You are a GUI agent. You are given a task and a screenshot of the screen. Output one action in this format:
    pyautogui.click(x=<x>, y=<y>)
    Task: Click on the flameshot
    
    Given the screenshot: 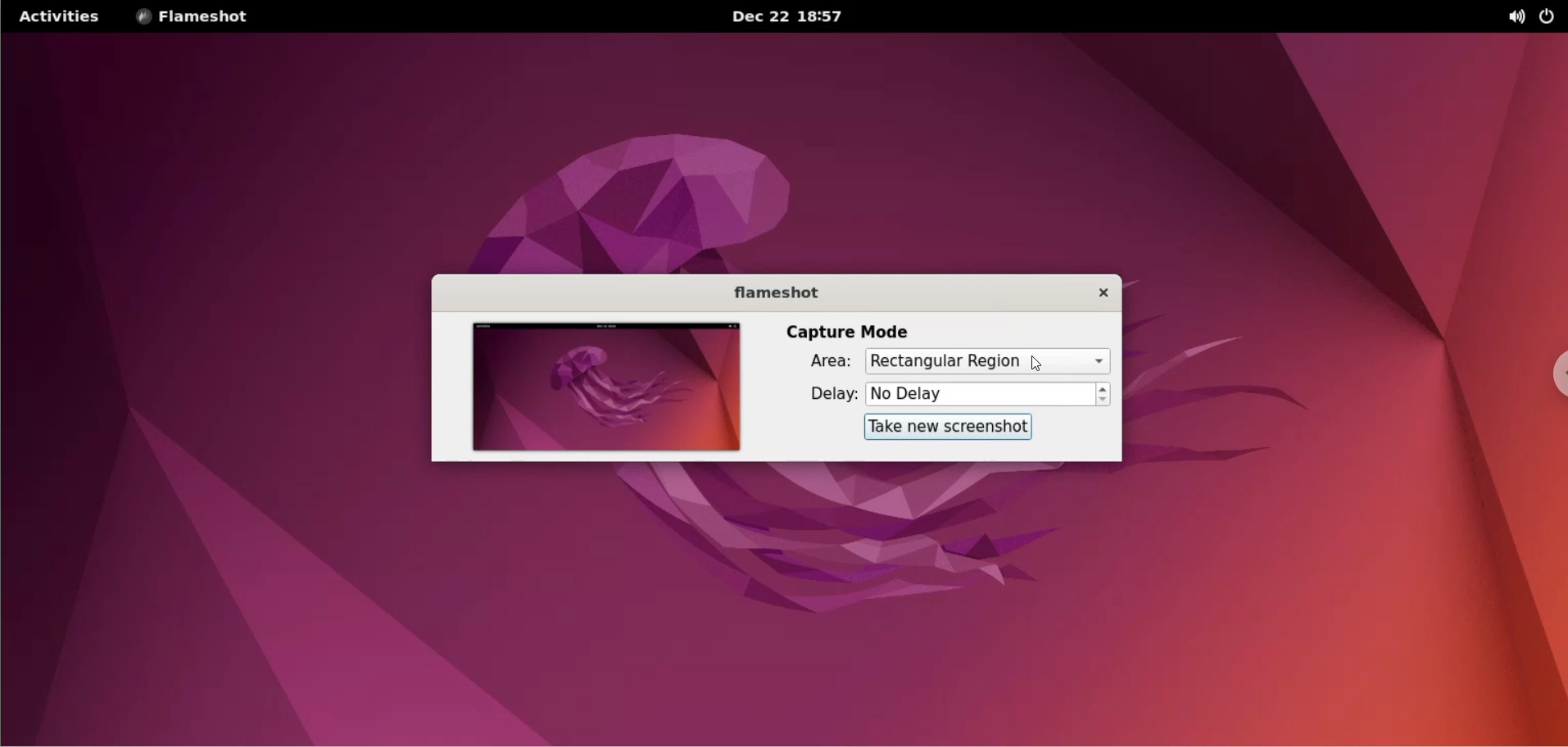 What is the action you would take?
    pyautogui.click(x=766, y=292)
    